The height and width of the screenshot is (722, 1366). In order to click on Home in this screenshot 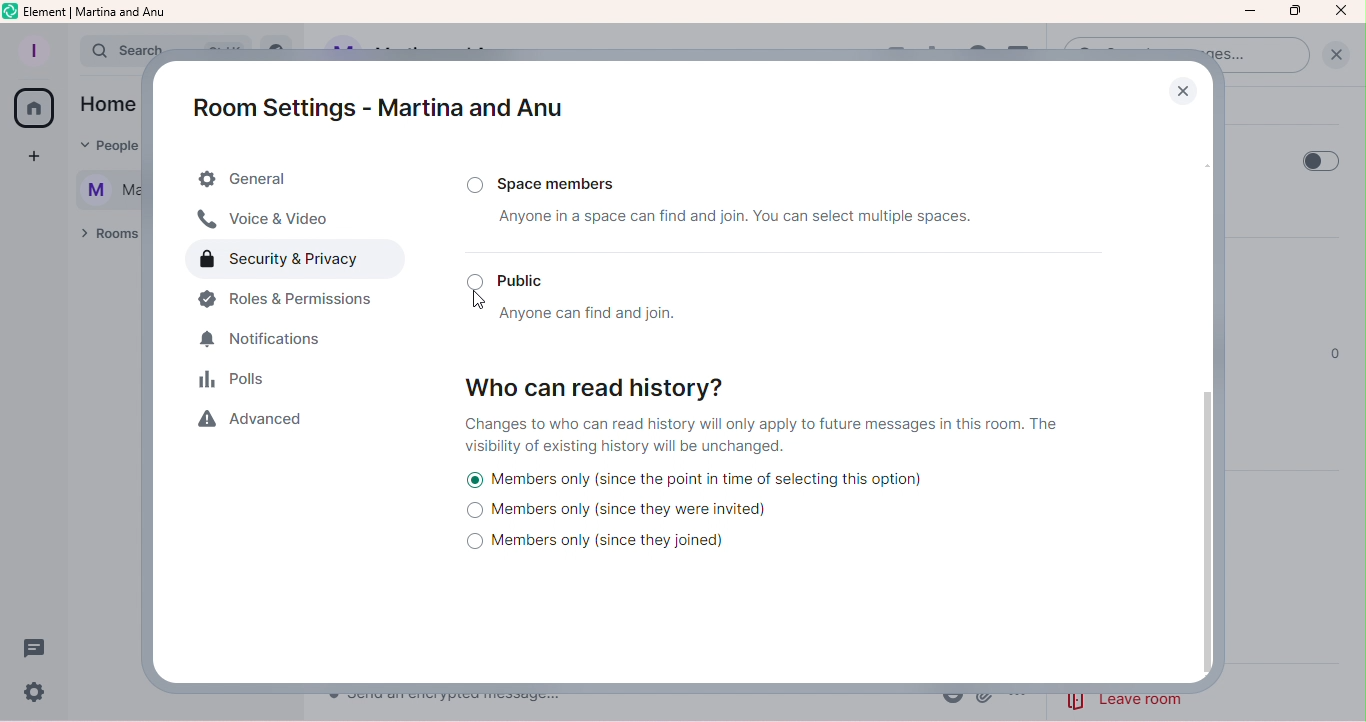, I will do `click(33, 109)`.